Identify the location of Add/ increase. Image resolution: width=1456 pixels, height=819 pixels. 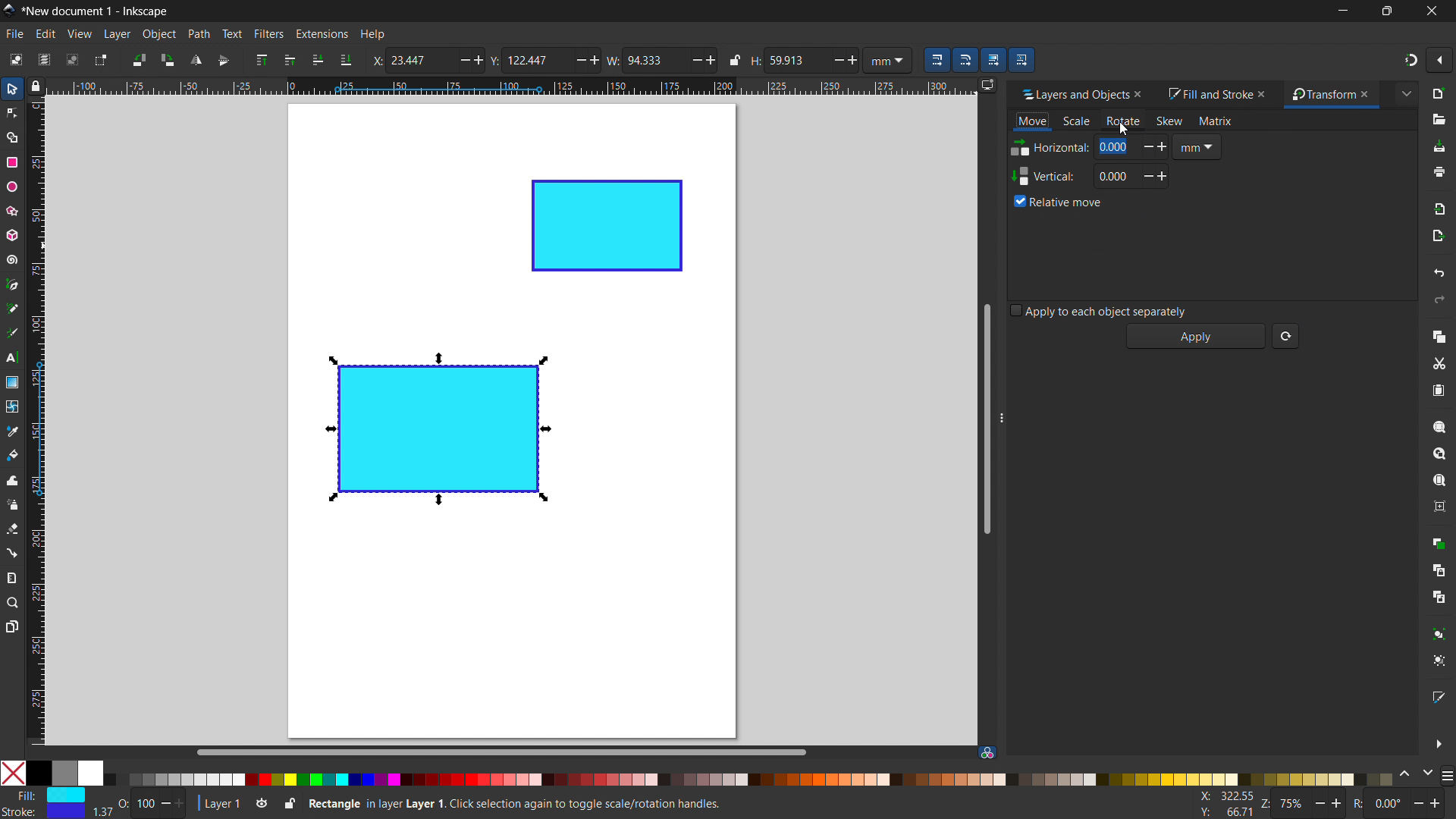
(853, 58).